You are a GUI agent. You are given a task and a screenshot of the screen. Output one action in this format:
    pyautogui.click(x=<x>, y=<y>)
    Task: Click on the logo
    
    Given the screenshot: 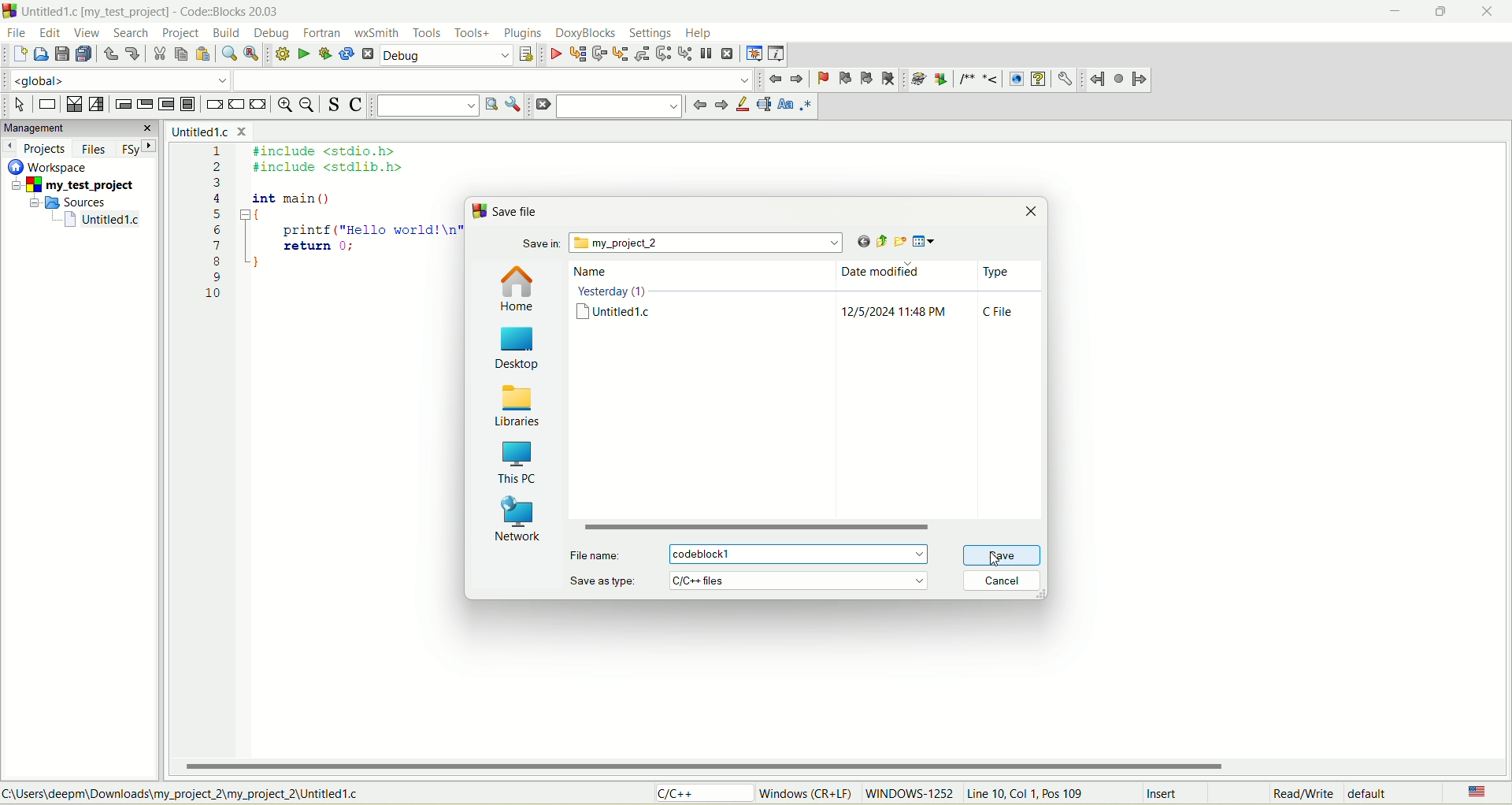 What is the action you would take?
    pyautogui.click(x=478, y=211)
    